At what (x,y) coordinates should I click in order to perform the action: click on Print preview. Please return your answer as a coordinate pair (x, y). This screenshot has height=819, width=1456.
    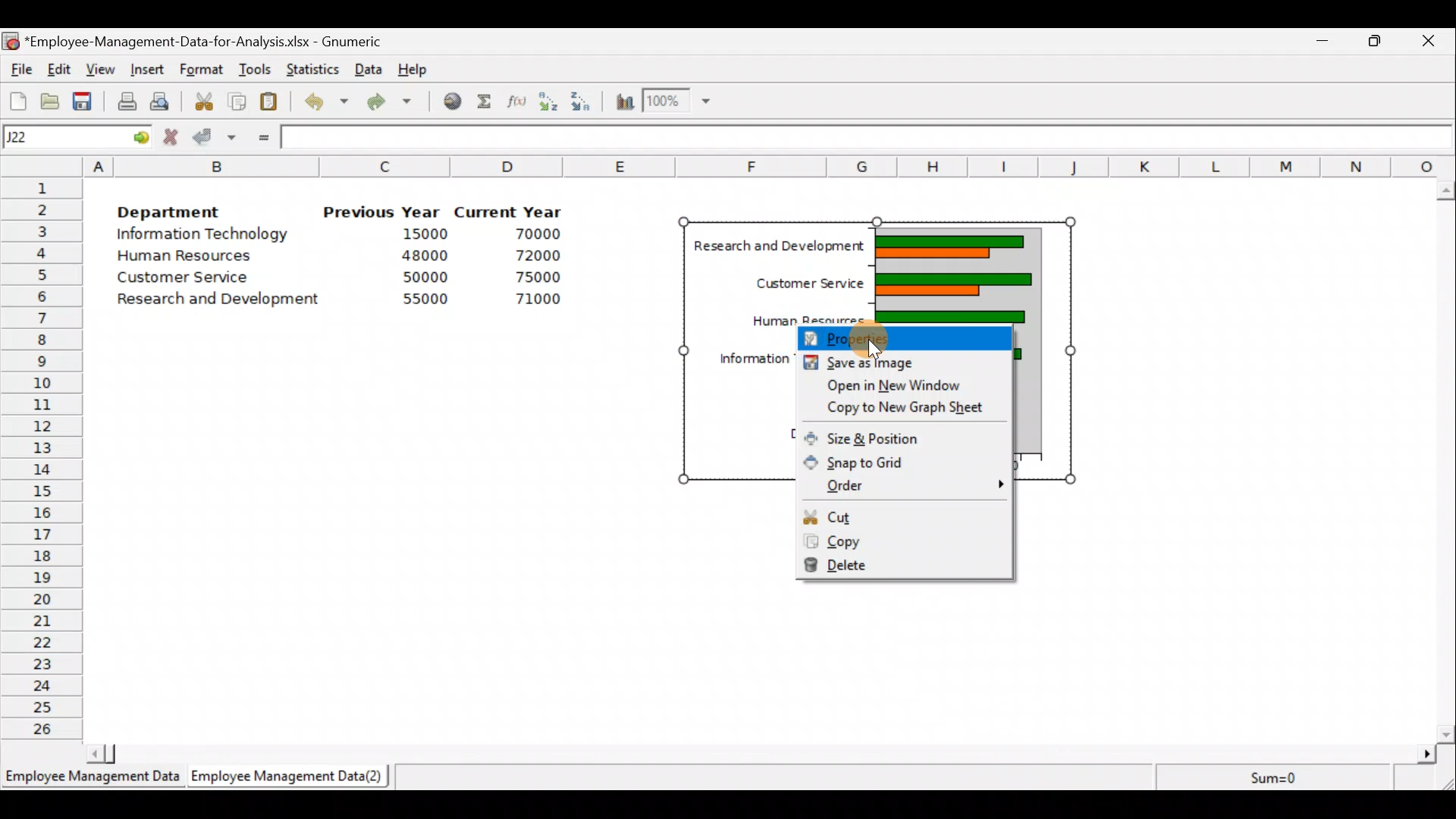
    Looking at the image, I should click on (161, 101).